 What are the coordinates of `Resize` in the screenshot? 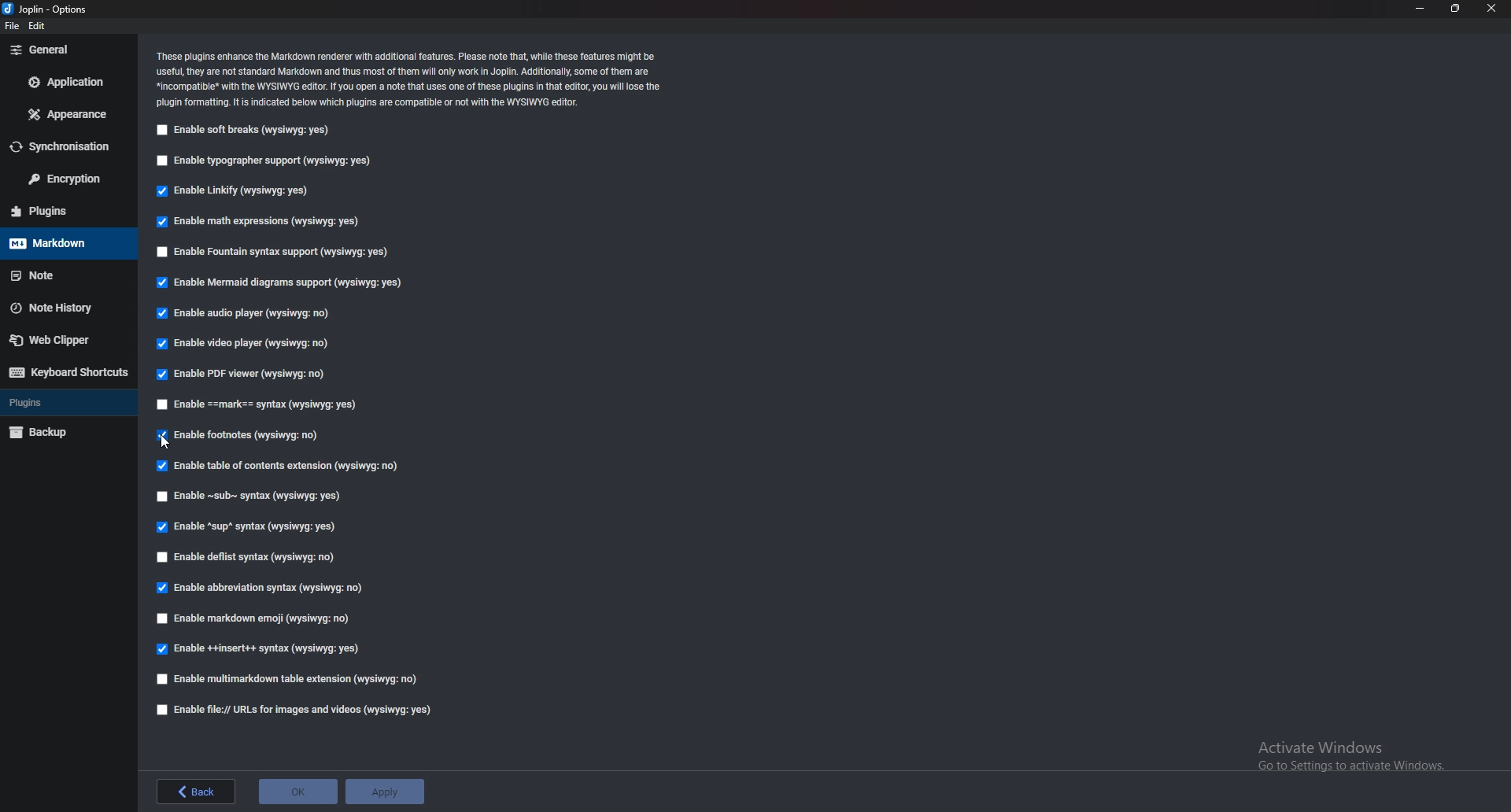 It's located at (1454, 8).